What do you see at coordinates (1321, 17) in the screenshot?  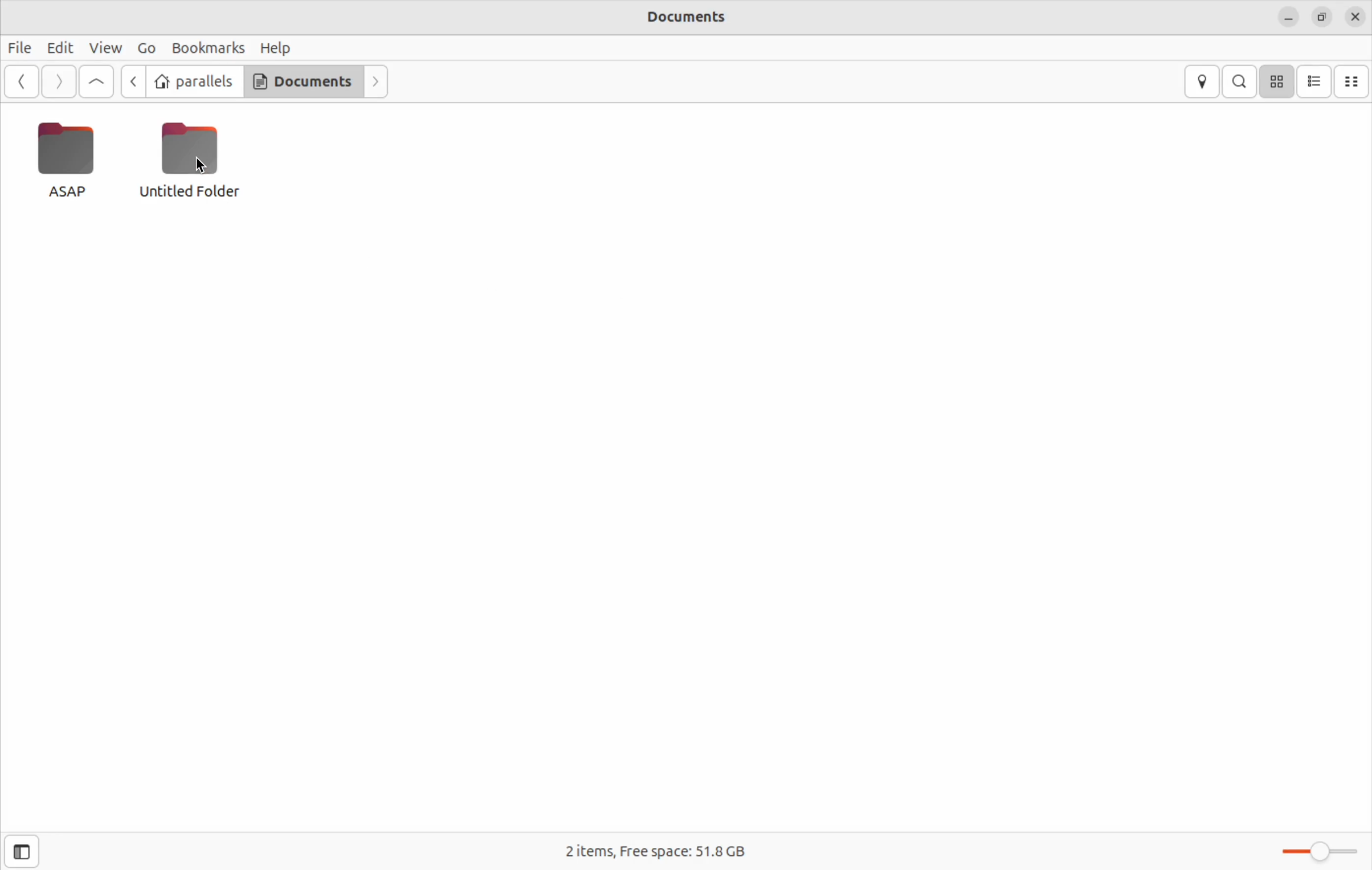 I see `resize` at bounding box center [1321, 17].